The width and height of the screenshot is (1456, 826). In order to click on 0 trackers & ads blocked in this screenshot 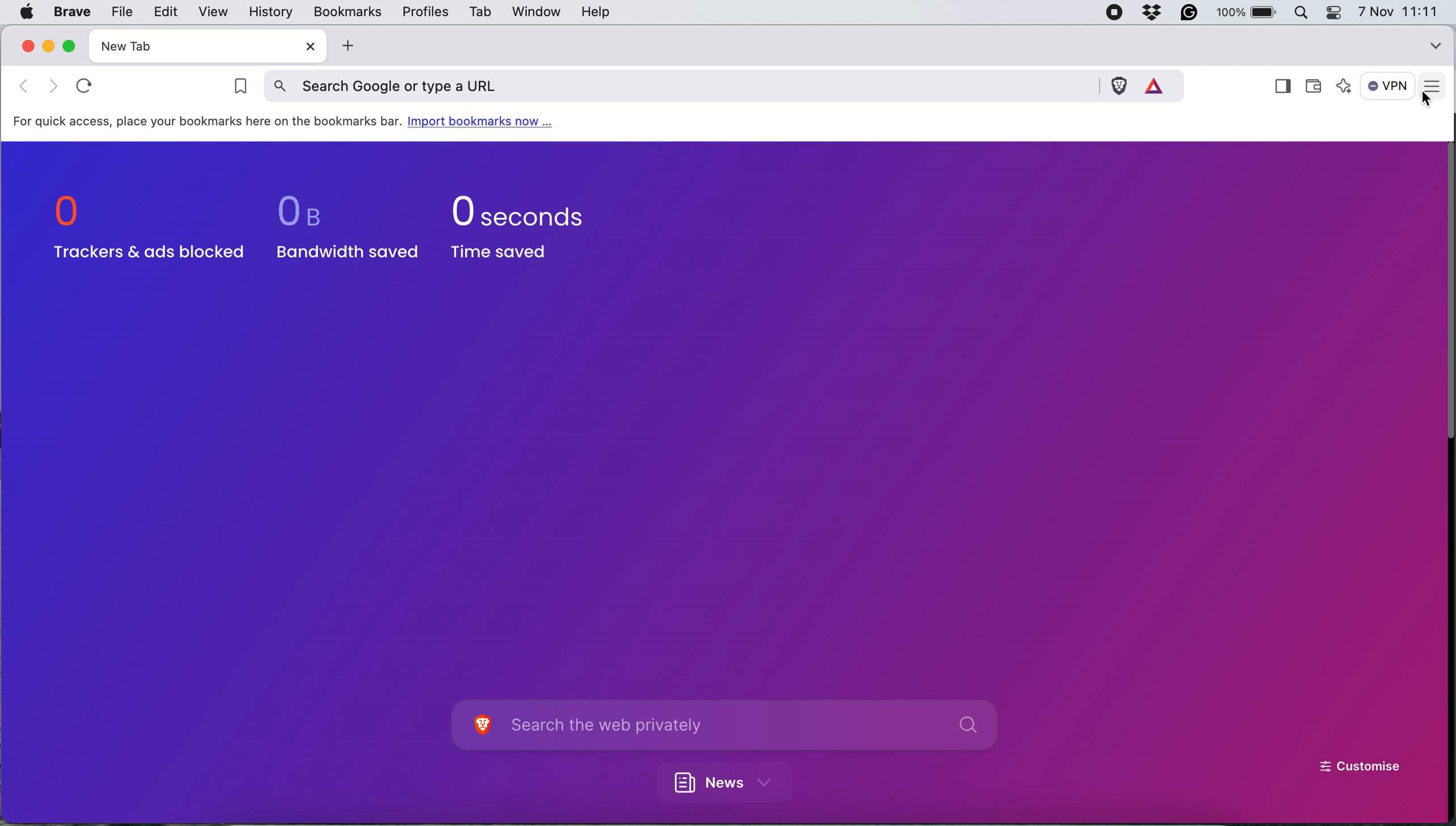, I will do `click(145, 229)`.